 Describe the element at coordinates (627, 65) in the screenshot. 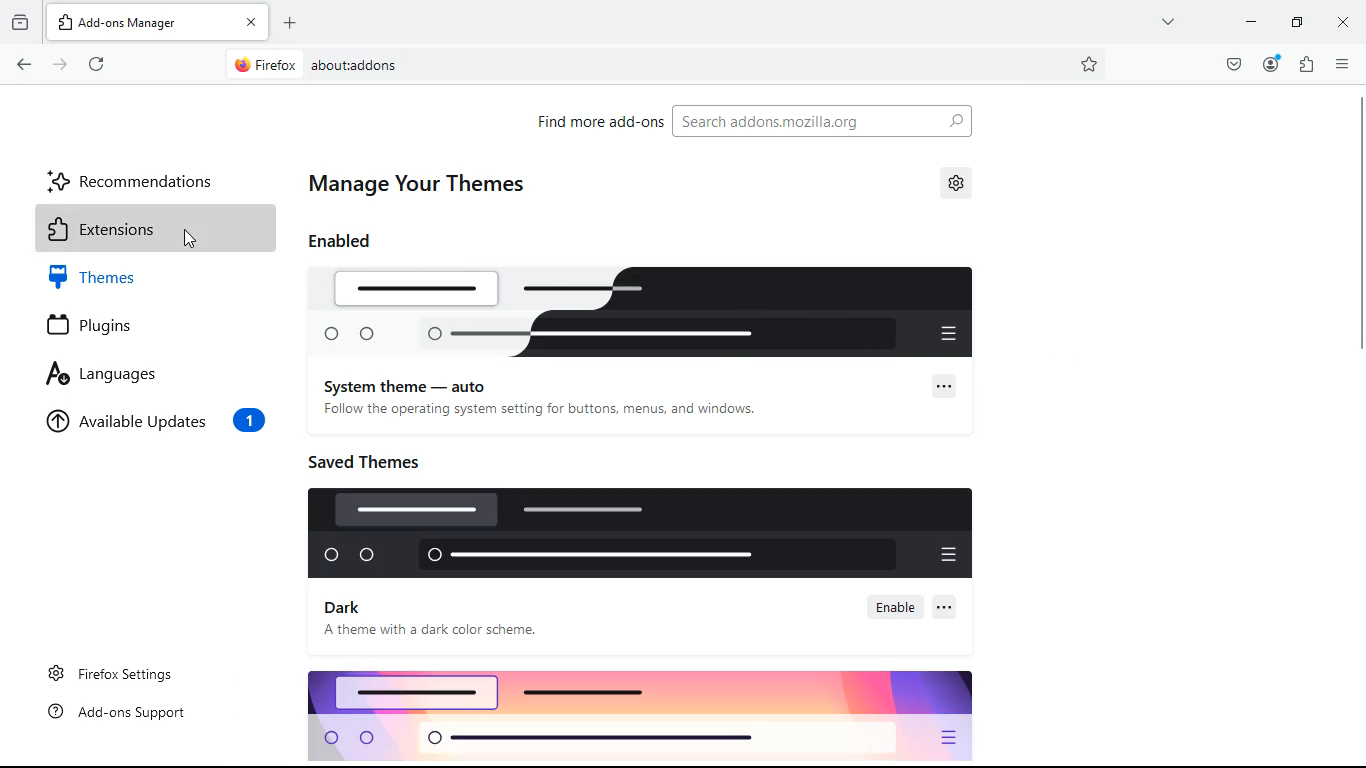

I see `about:addons` at that location.